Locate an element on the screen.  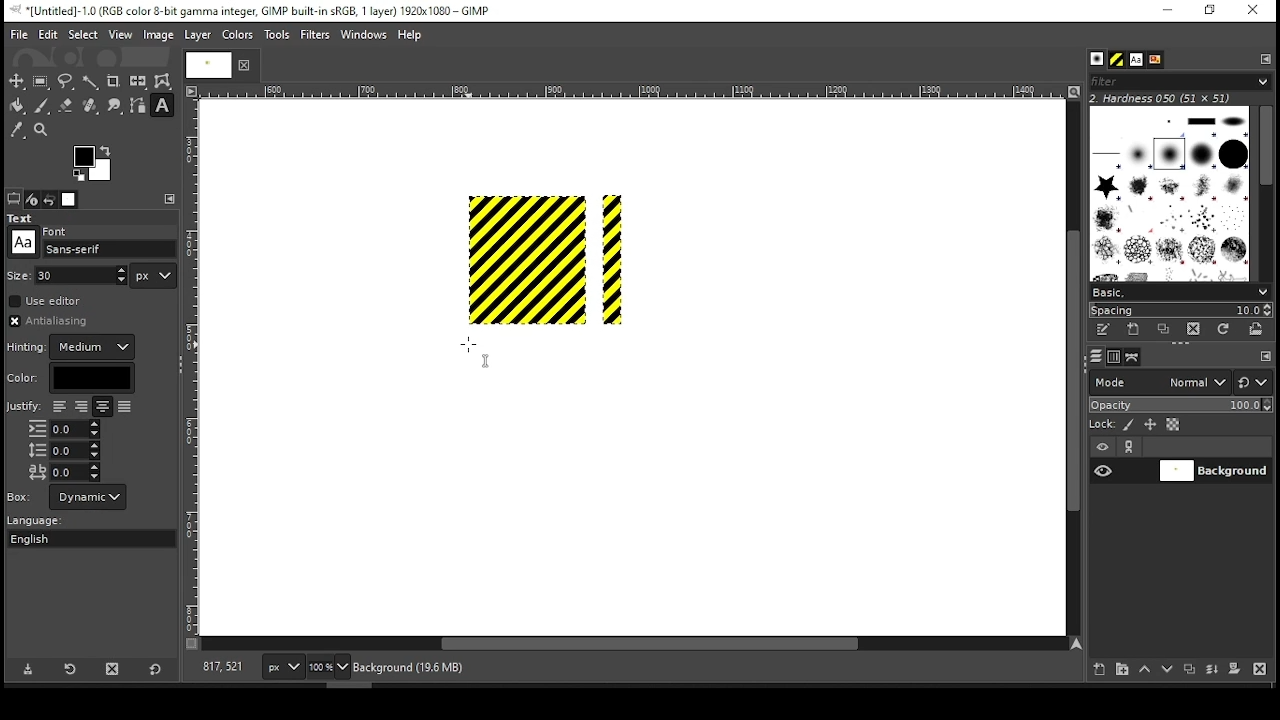
heal tool is located at coordinates (92, 107).